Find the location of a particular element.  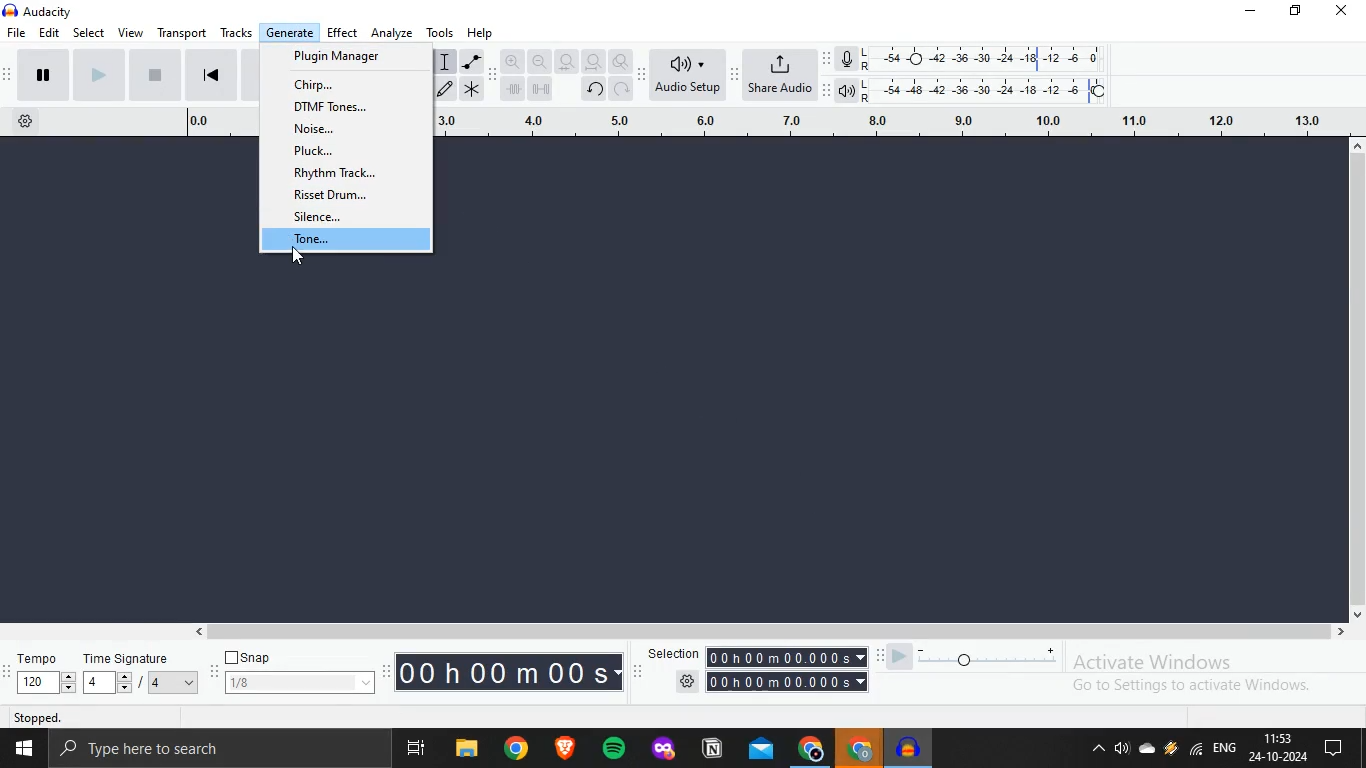

Sound is located at coordinates (1122, 750).